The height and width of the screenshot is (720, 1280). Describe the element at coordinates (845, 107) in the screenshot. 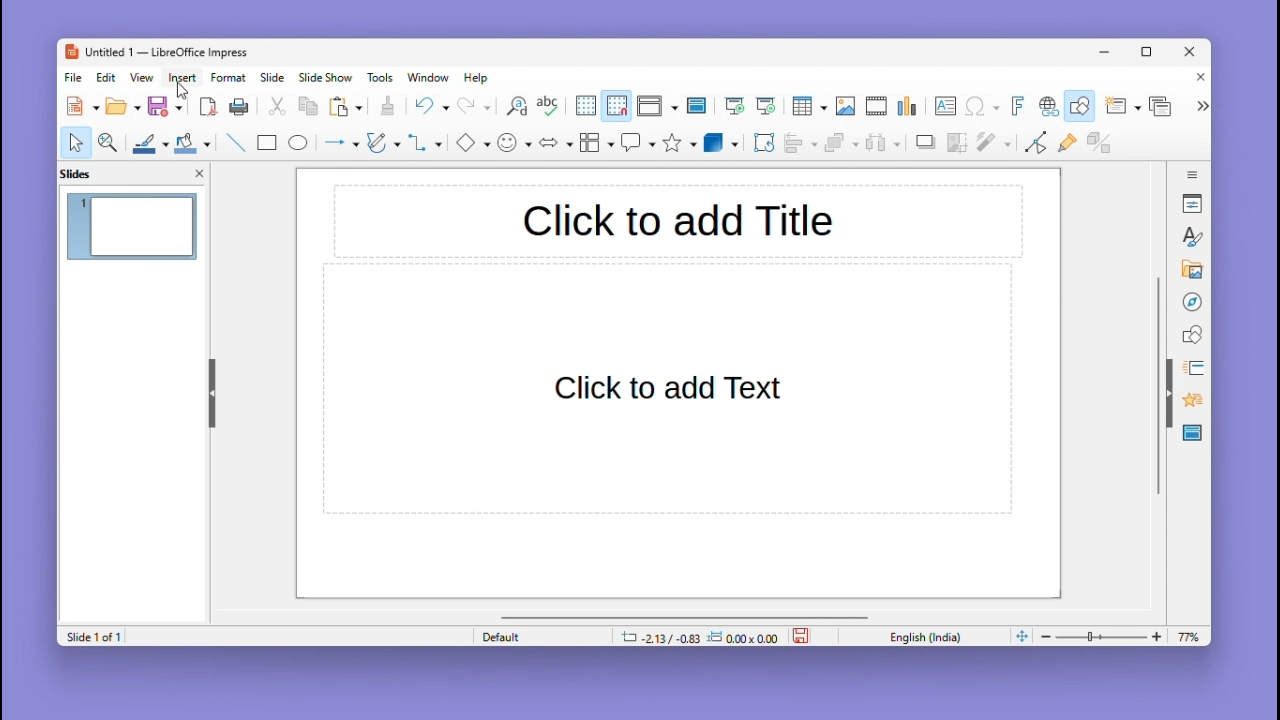

I see `Image` at that location.